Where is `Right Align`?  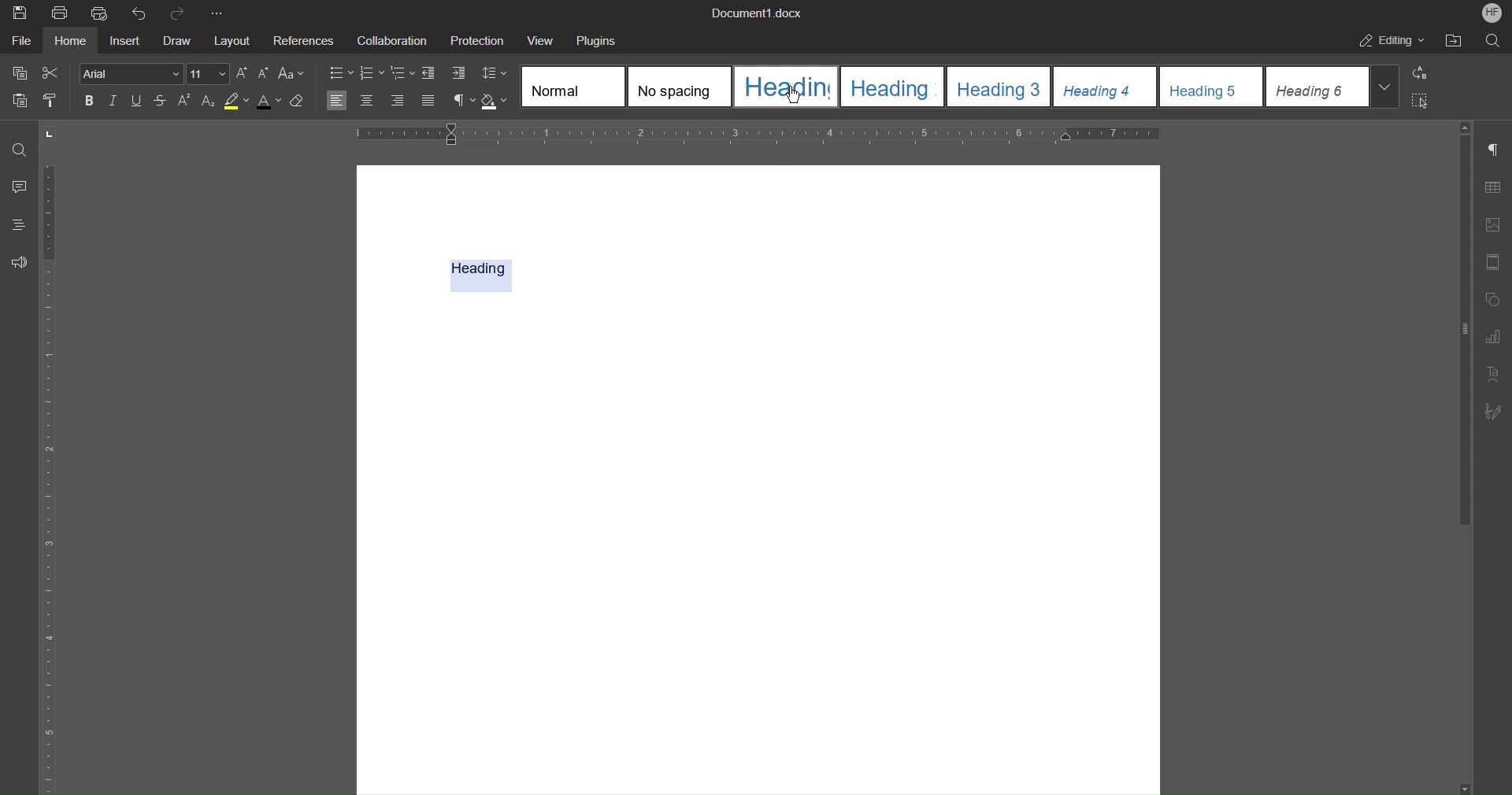 Right Align is located at coordinates (398, 102).